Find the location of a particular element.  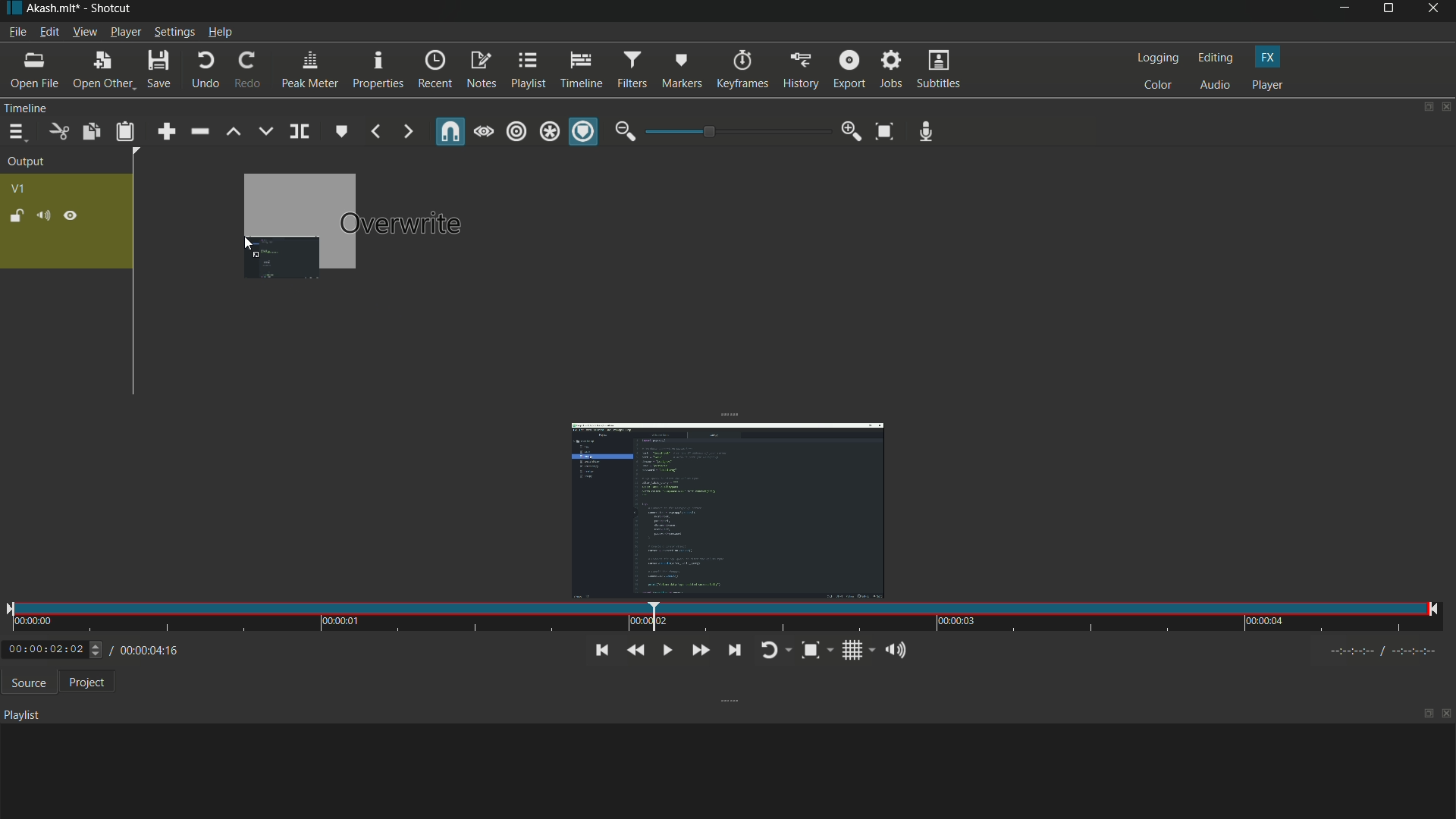

lock track is located at coordinates (14, 215).